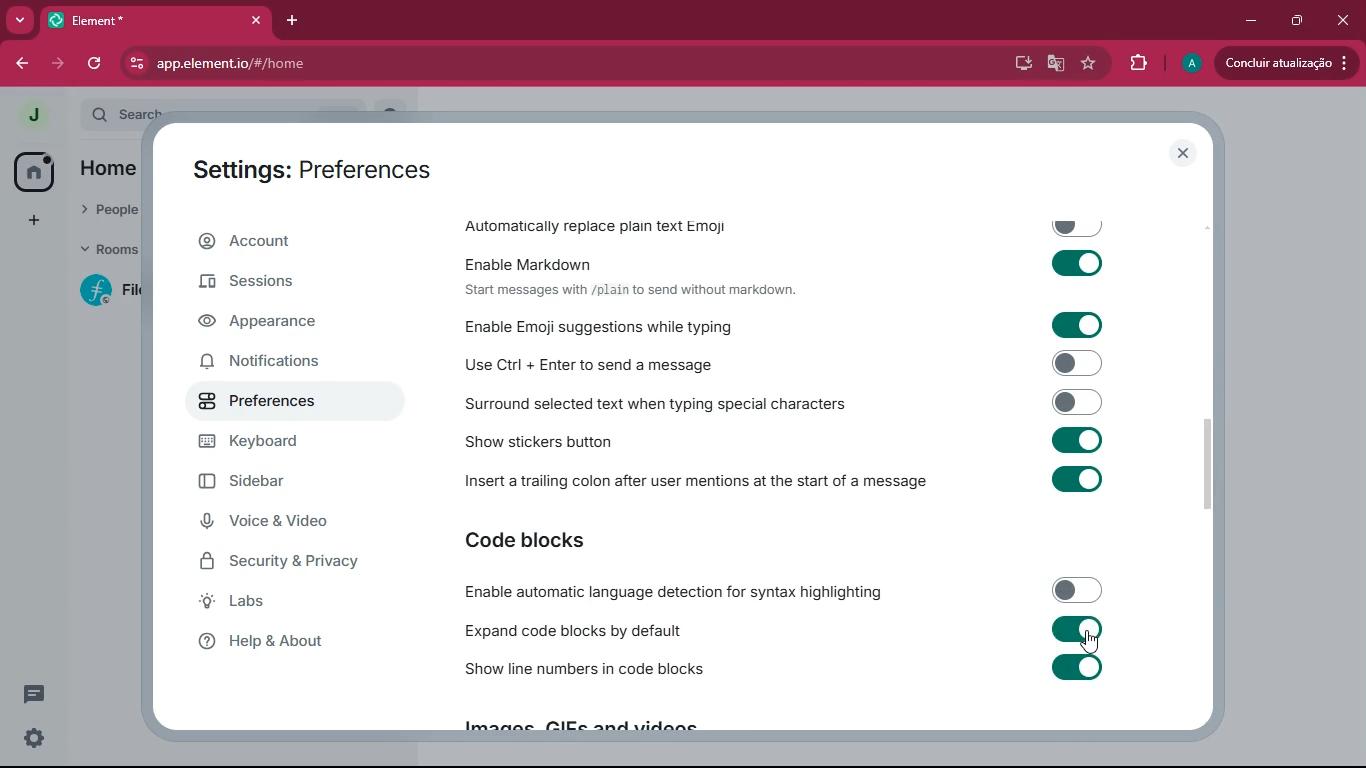  I want to click on Enable Markdown, so click(789, 261).